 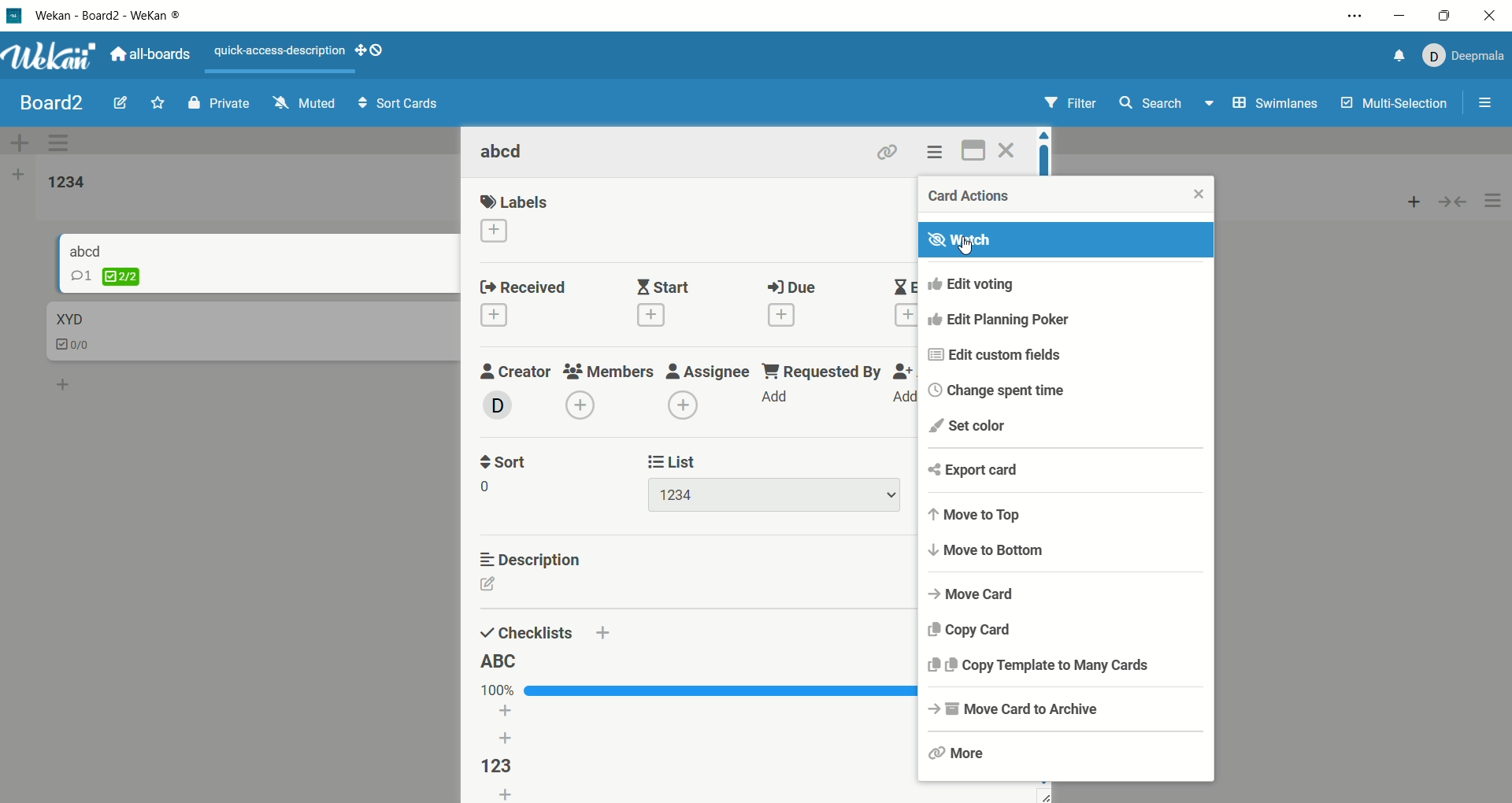 I want to click on edit, so click(x=114, y=103).